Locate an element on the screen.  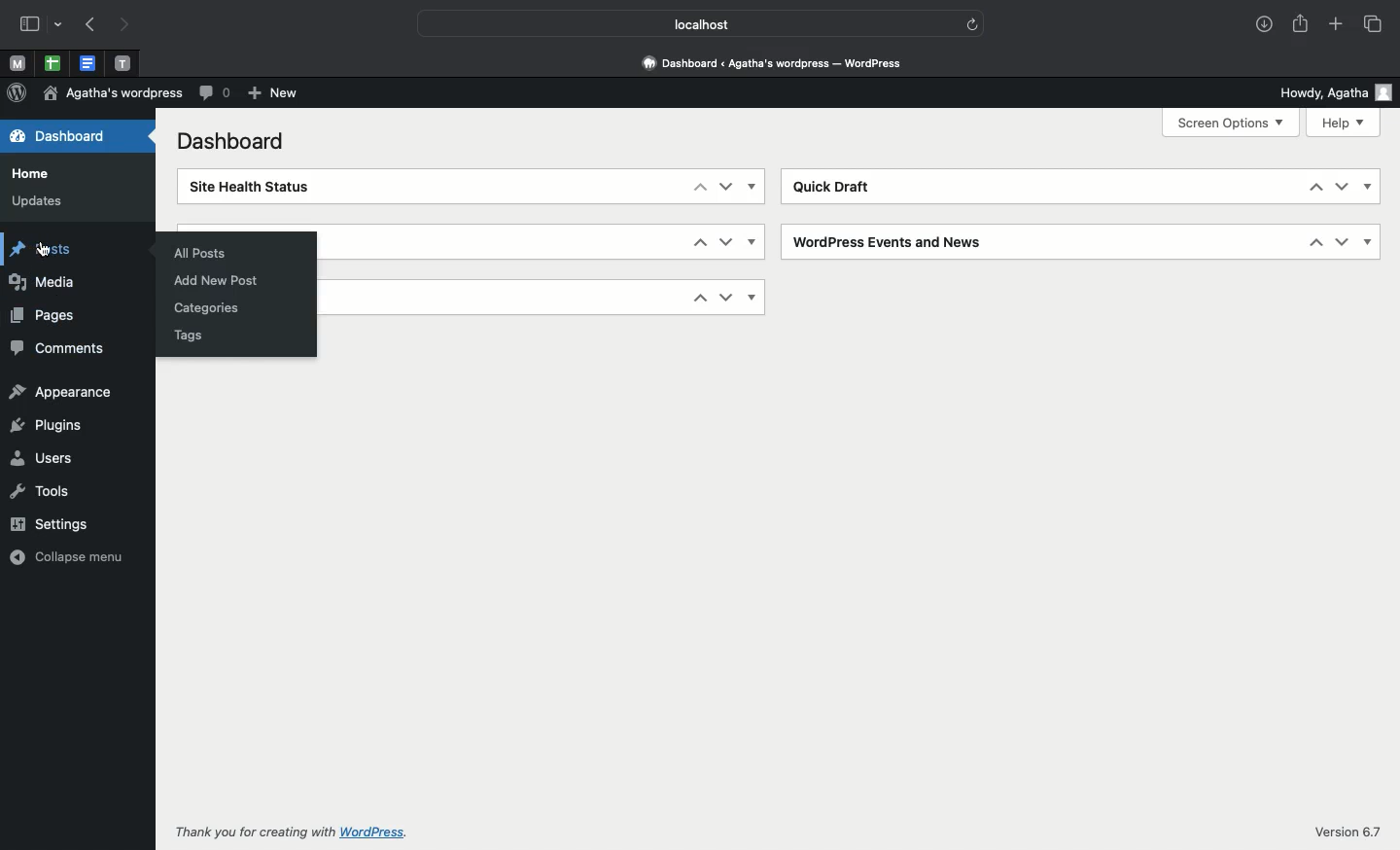
Add new tab is located at coordinates (1335, 25).